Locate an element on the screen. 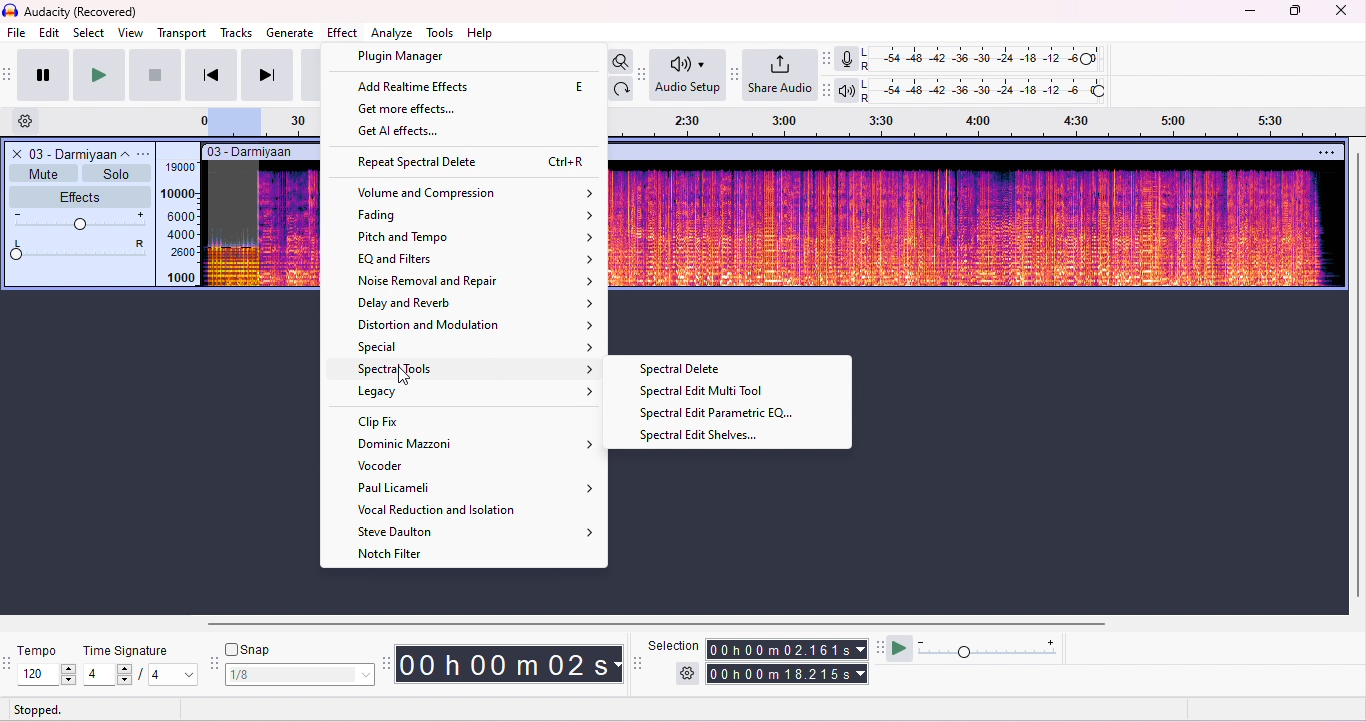 This screenshot has height=722, width=1366. selection is located at coordinates (675, 645).